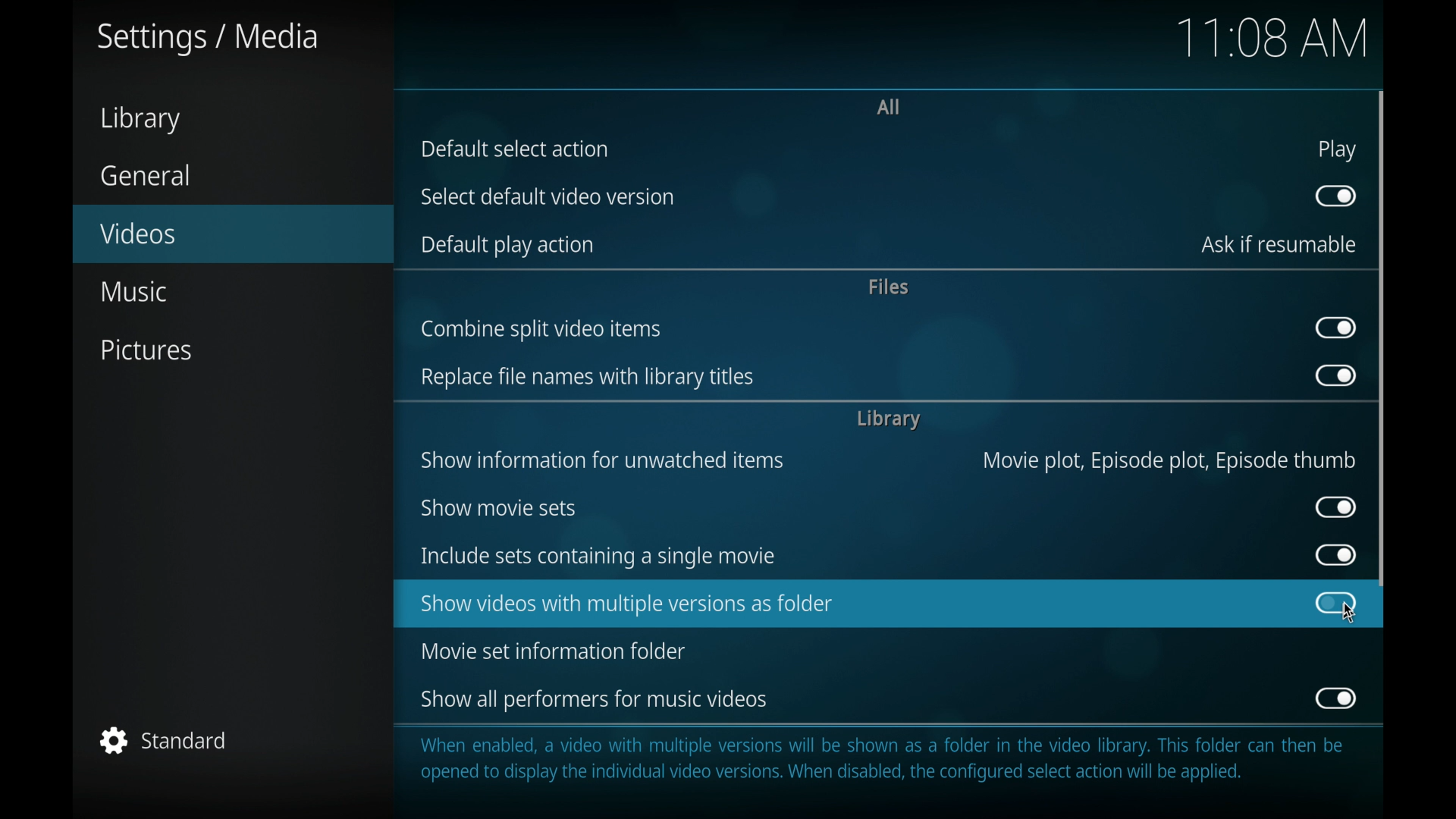 The height and width of the screenshot is (819, 1456). What do you see at coordinates (595, 698) in the screenshot?
I see `show all performers for music videos` at bounding box center [595, 698].